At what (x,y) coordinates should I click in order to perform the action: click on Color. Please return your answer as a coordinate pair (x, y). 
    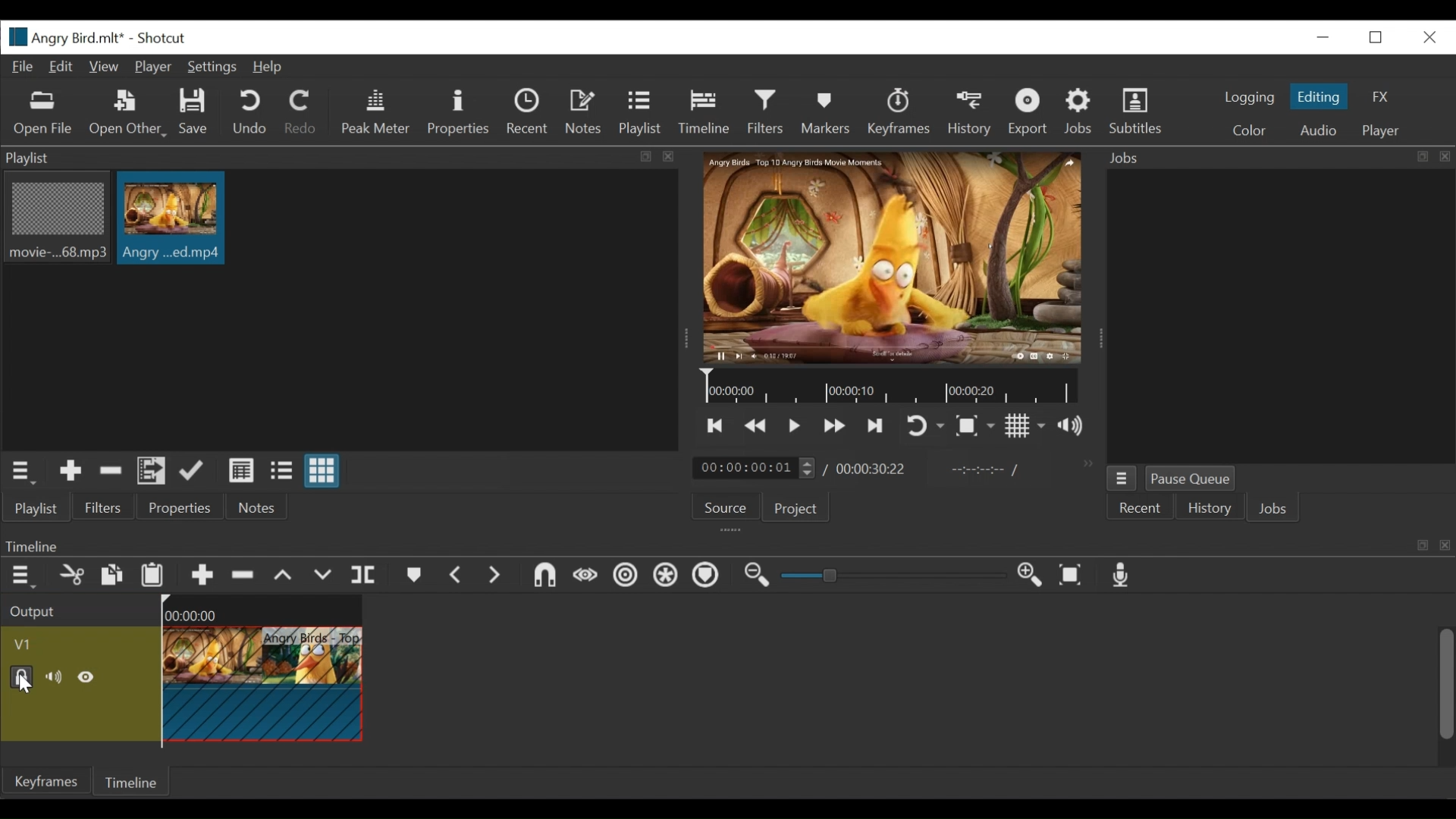
    Looking at the image, I should click on (1253, 130).